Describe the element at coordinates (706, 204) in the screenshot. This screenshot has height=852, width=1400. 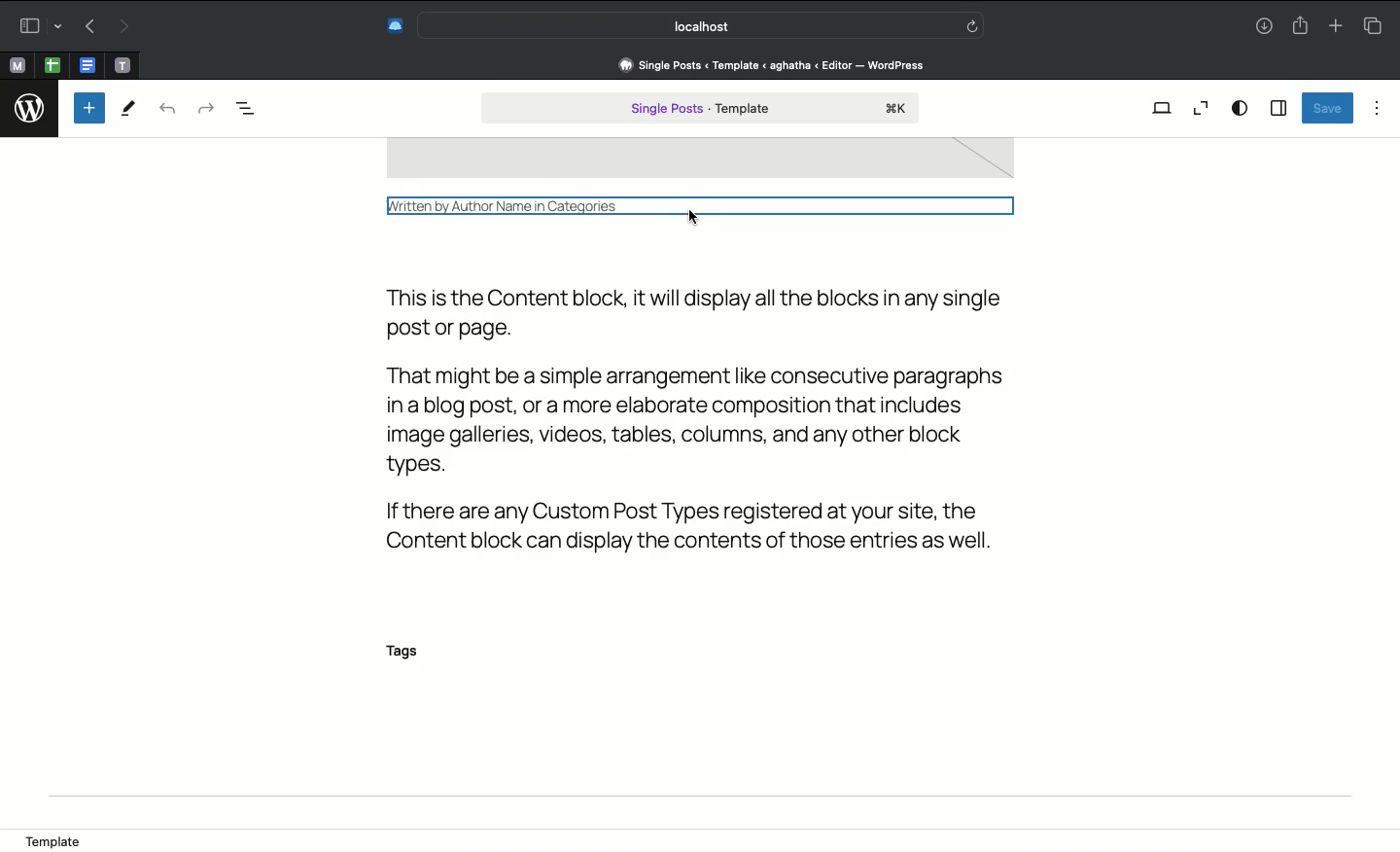
I see `Written by author name in categories` at that location.